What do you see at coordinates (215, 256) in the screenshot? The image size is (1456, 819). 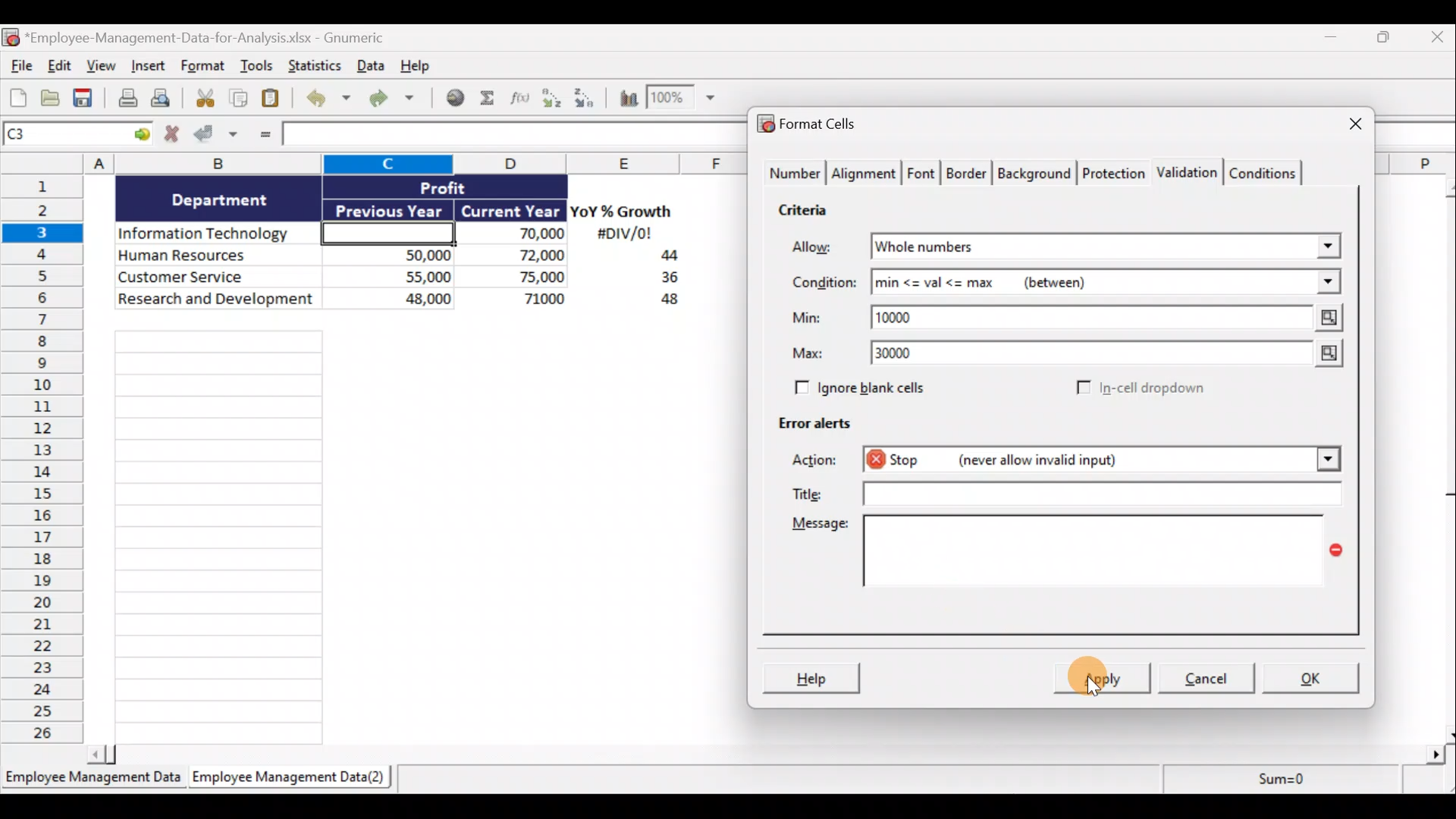 I see `Human Resources` at bounding box center [215, 256].